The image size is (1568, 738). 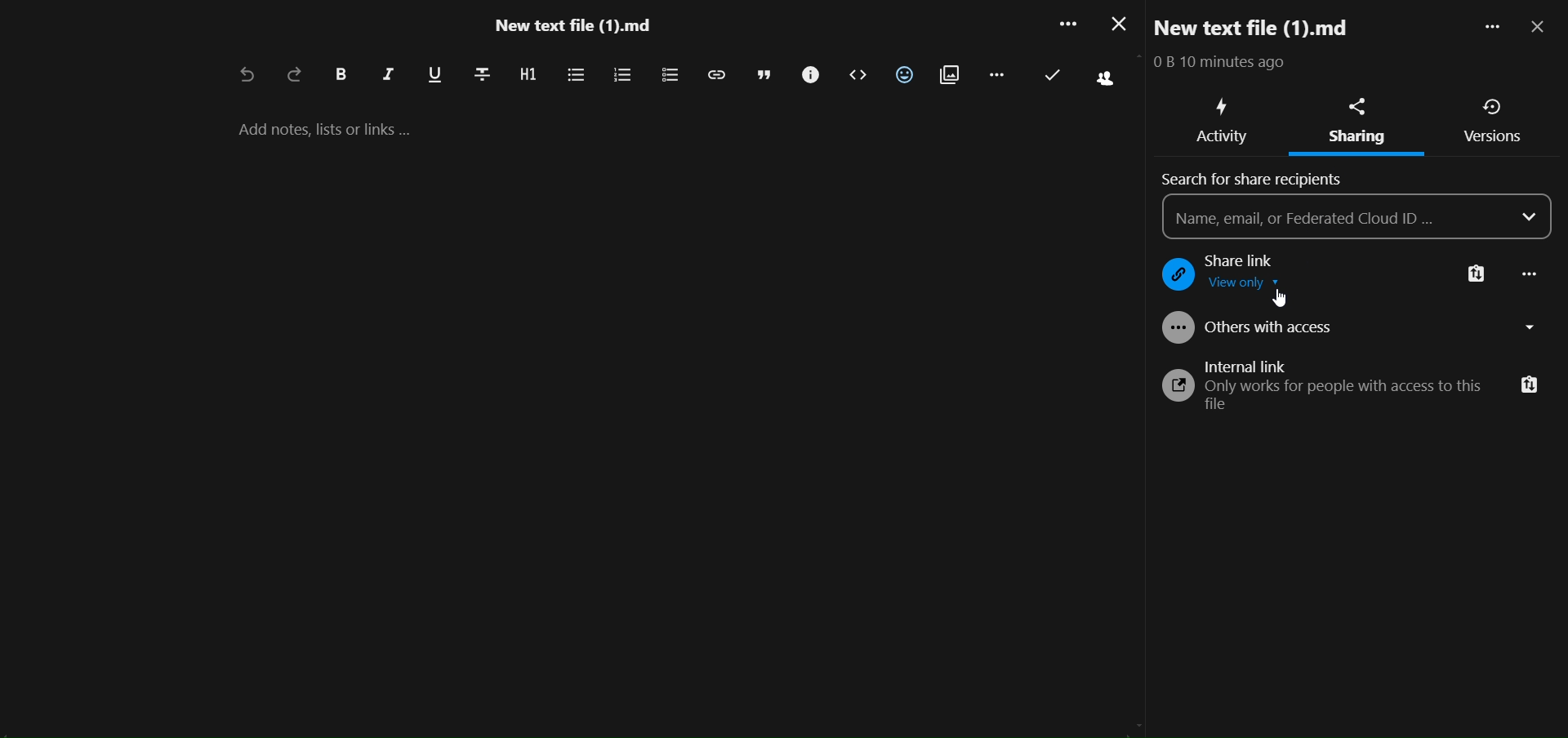 What do you see at coordinates (668, 76) in the screenshot?
I see `to do list` at bounding box center [668, 76].